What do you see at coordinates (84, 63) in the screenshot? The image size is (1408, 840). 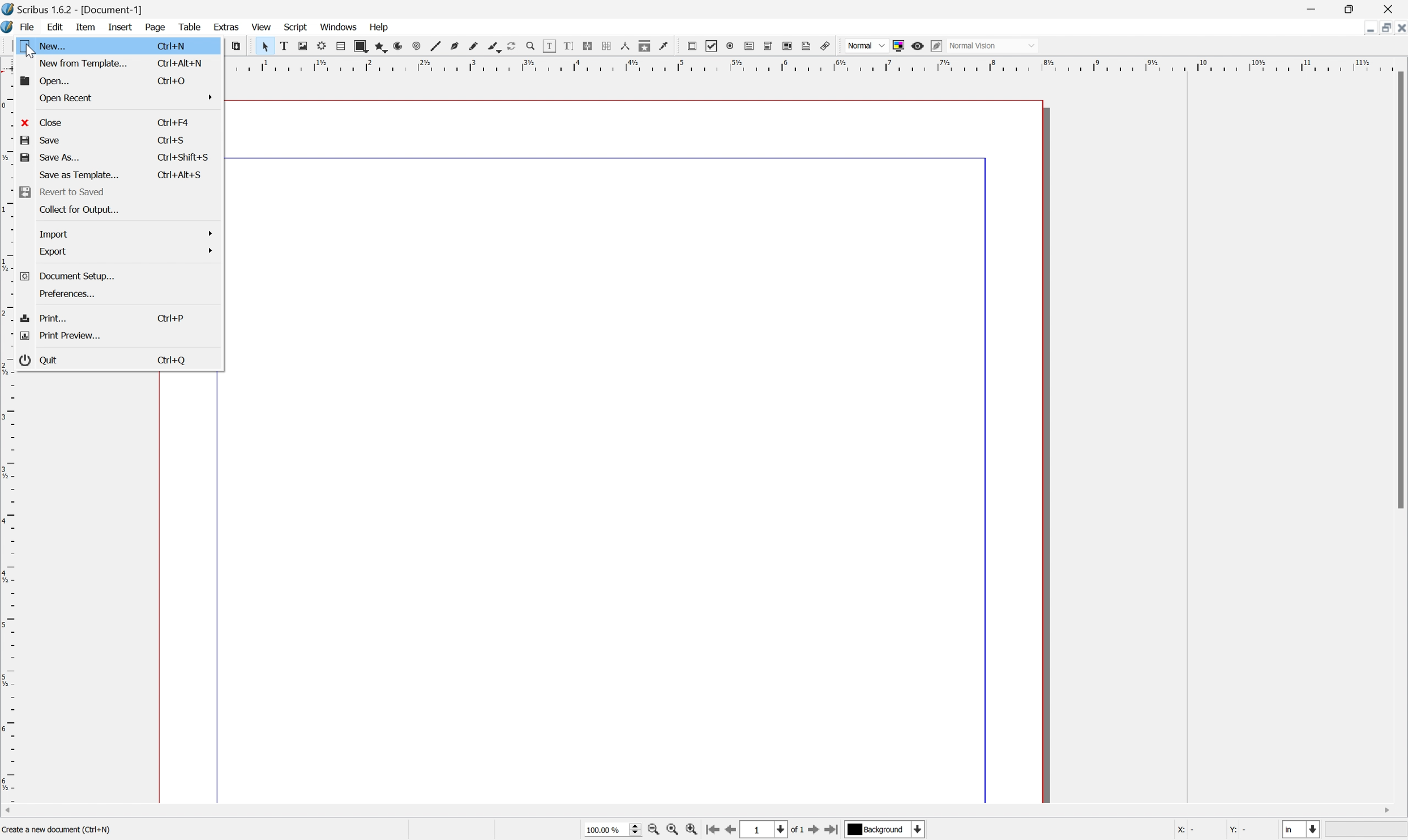 I see `new from template` at bounding box center [84, 63].